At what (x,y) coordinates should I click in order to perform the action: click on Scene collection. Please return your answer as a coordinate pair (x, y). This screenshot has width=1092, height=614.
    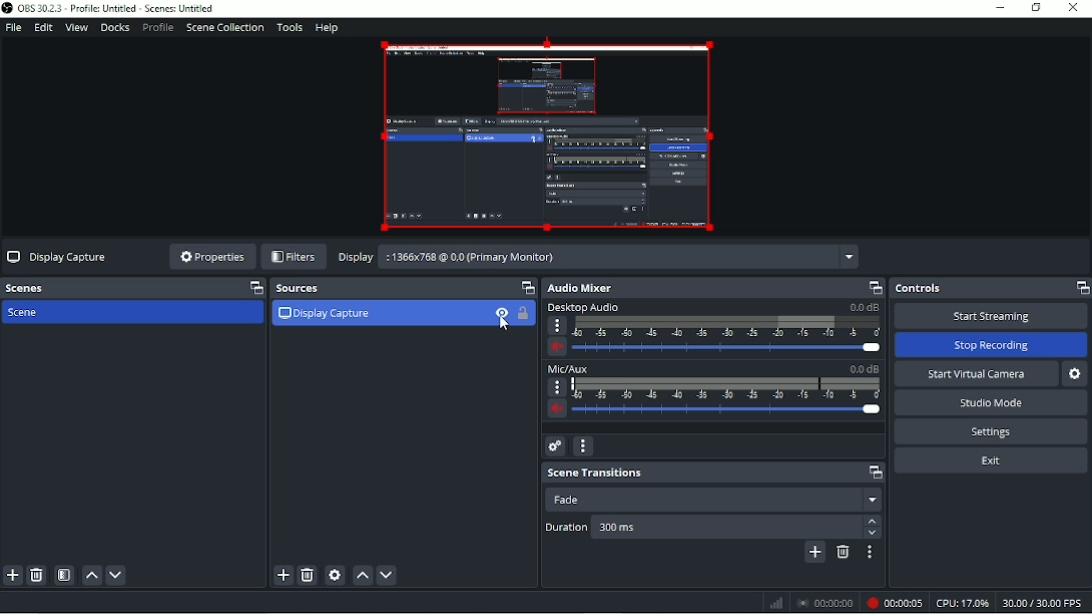
    Looking at the image, I should click on (224, 29).